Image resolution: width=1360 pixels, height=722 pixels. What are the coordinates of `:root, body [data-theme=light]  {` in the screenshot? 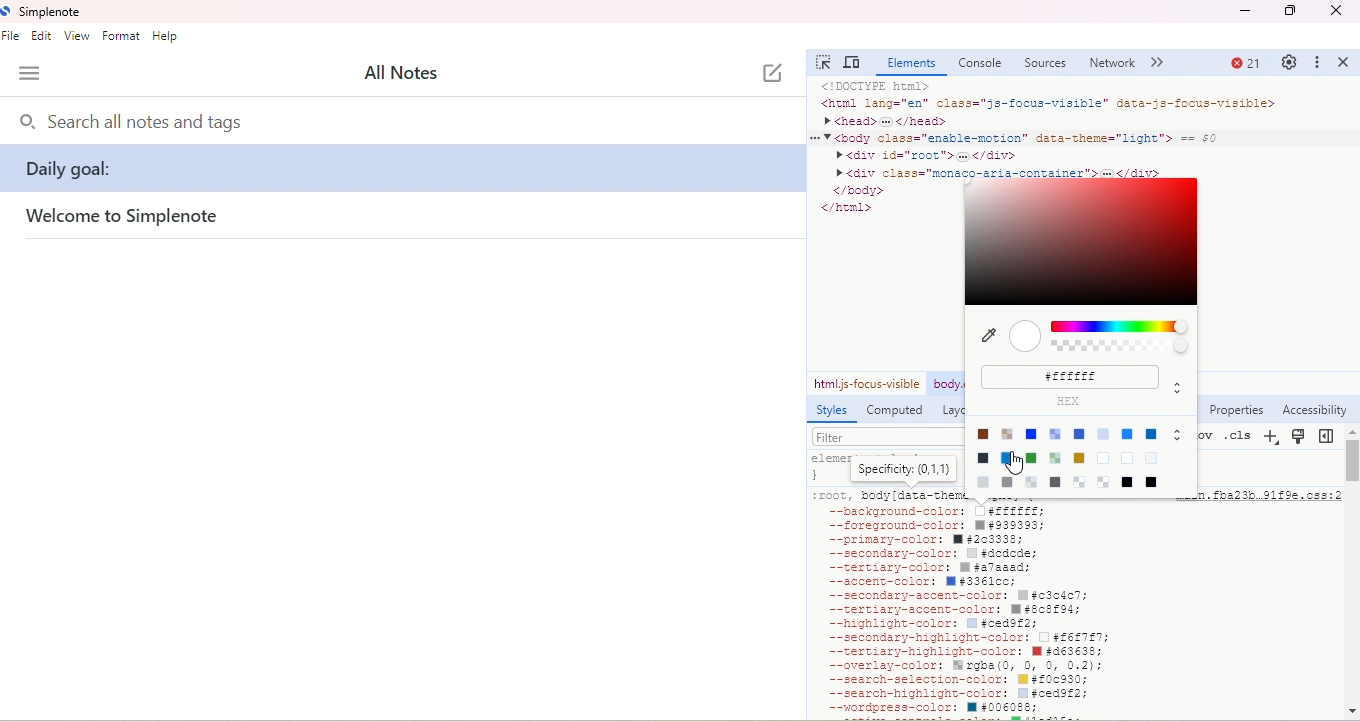 It's located at (888, 495).